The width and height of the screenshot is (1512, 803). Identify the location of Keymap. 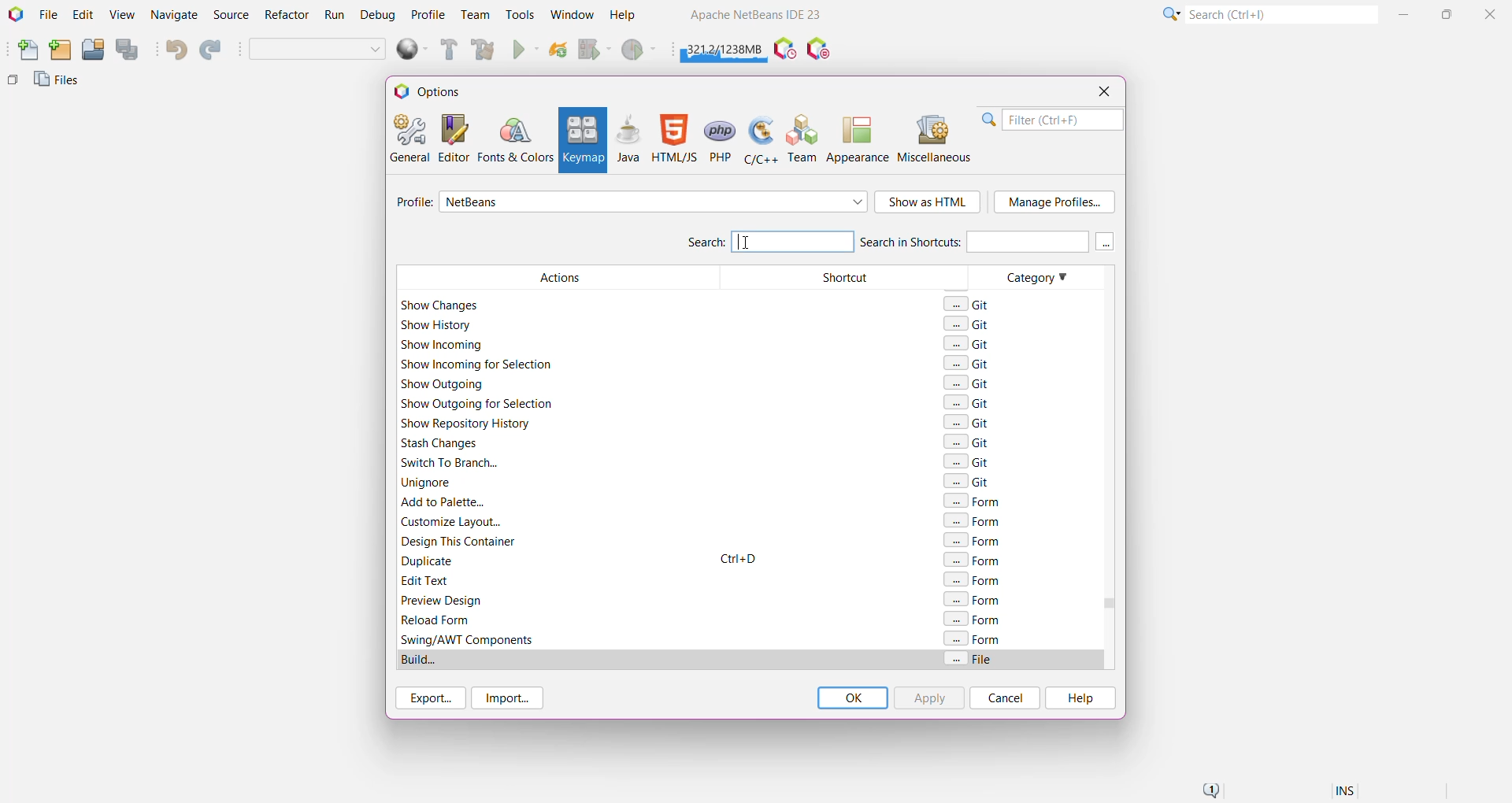
(581, 140).